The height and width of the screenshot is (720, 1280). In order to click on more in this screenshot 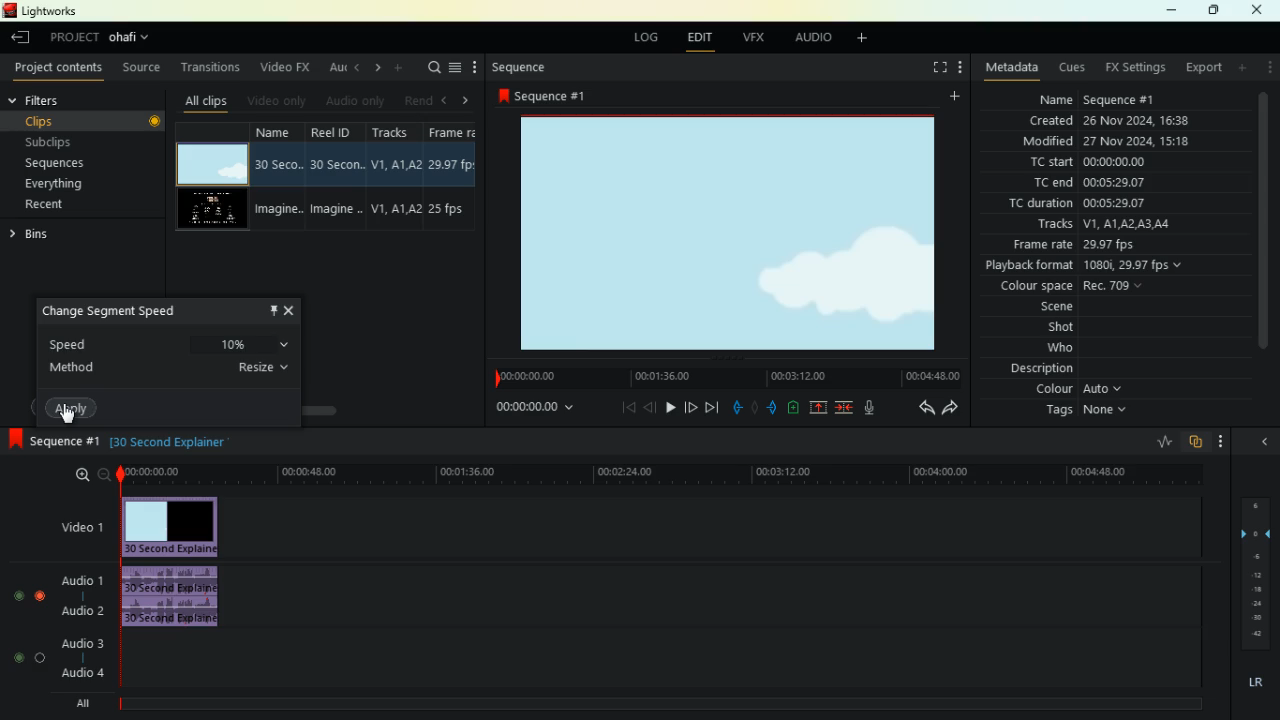, I will do `click(1221, 441)`.